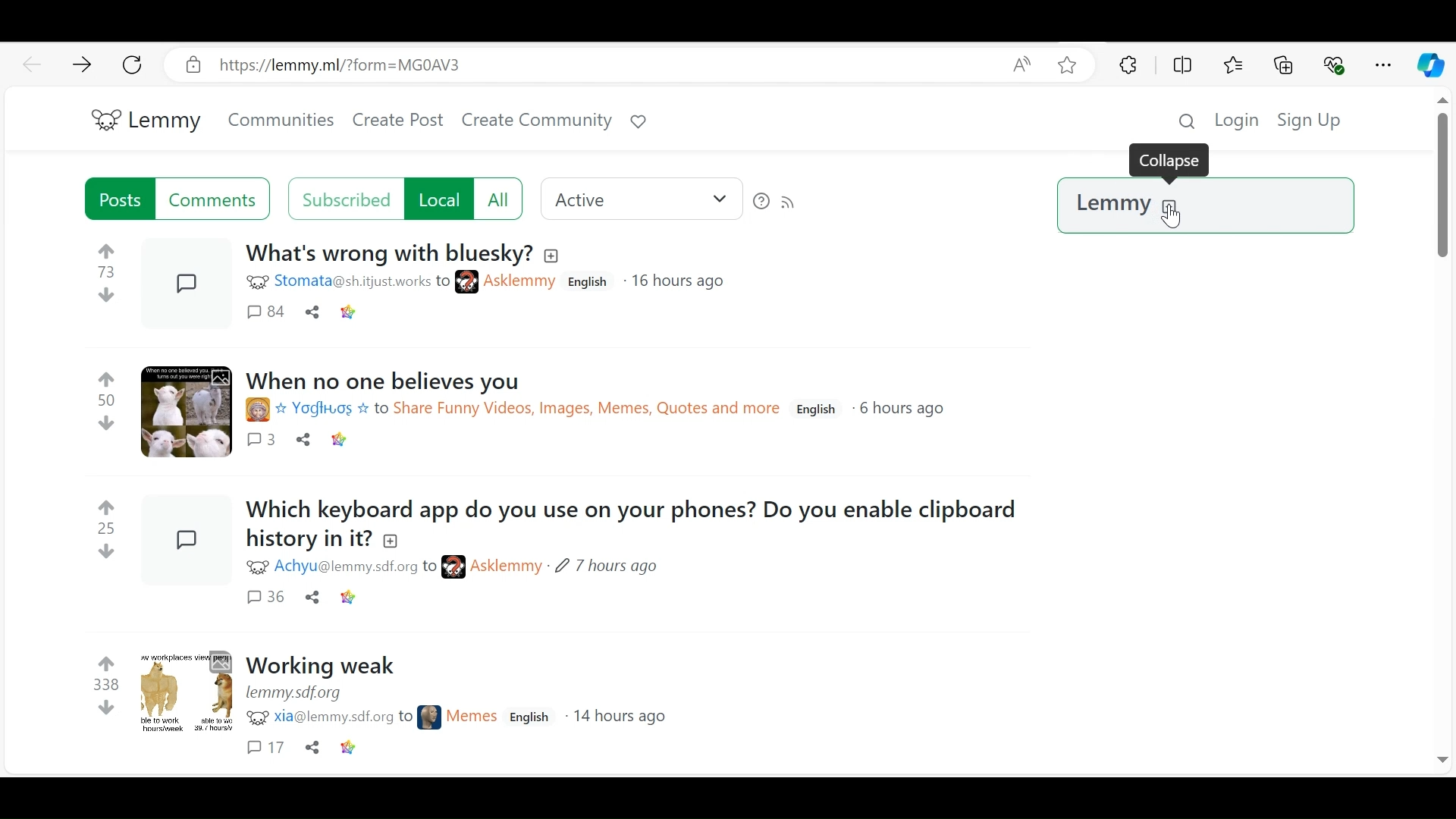  I want to click on Copilot, so click(1430, 65).